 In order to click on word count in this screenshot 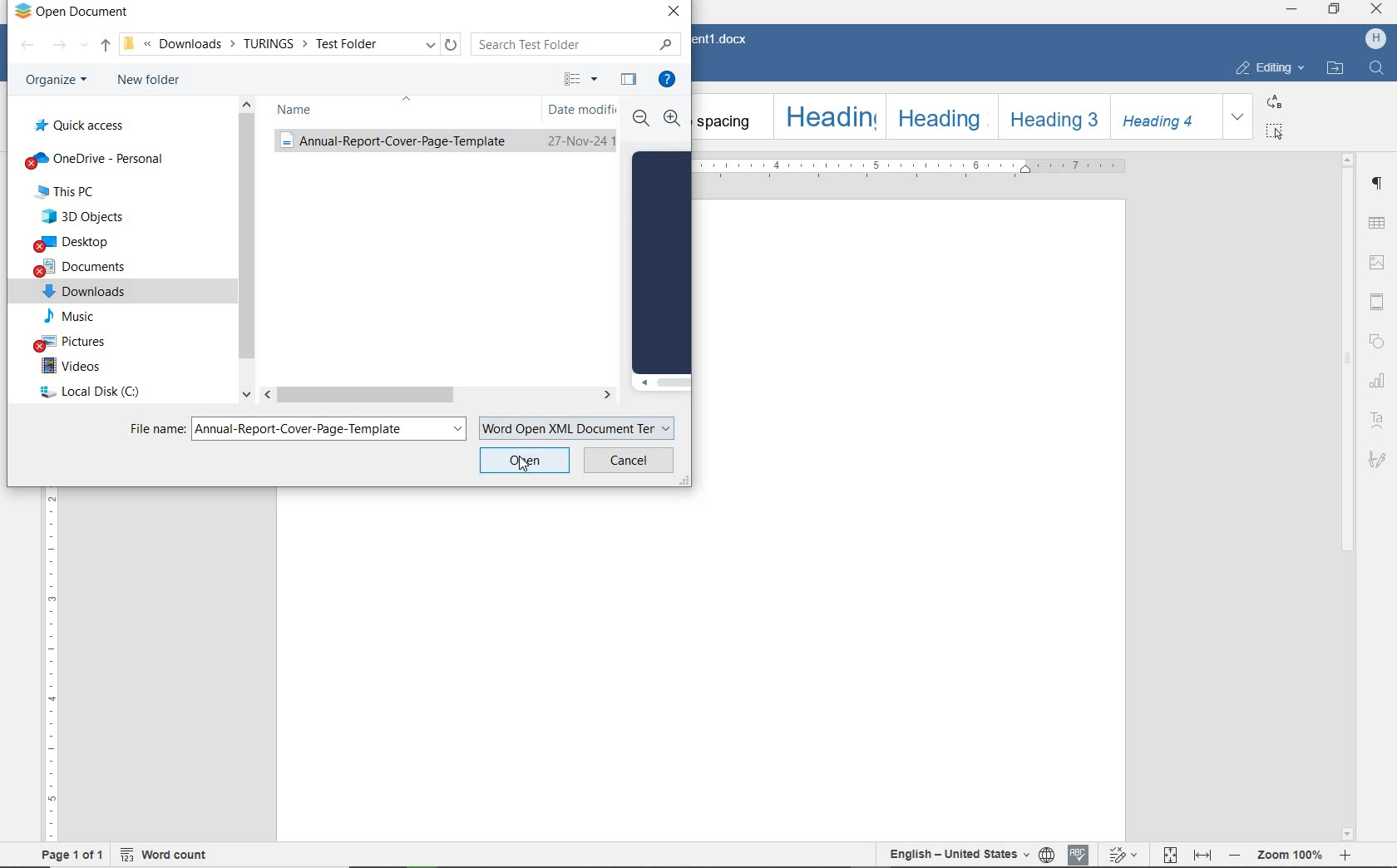, I will do `click(175, 856)`.